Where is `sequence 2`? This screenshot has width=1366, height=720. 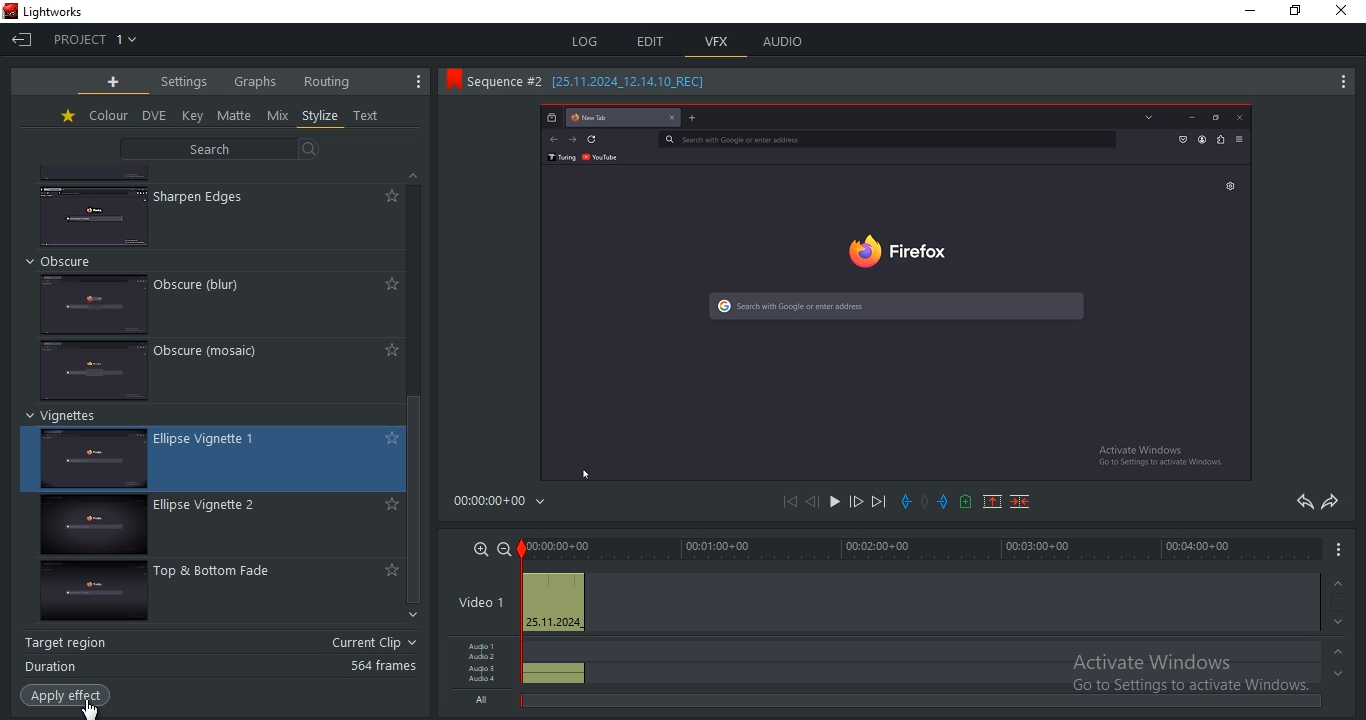 sequence 2 is located at coordinates (895, 292).